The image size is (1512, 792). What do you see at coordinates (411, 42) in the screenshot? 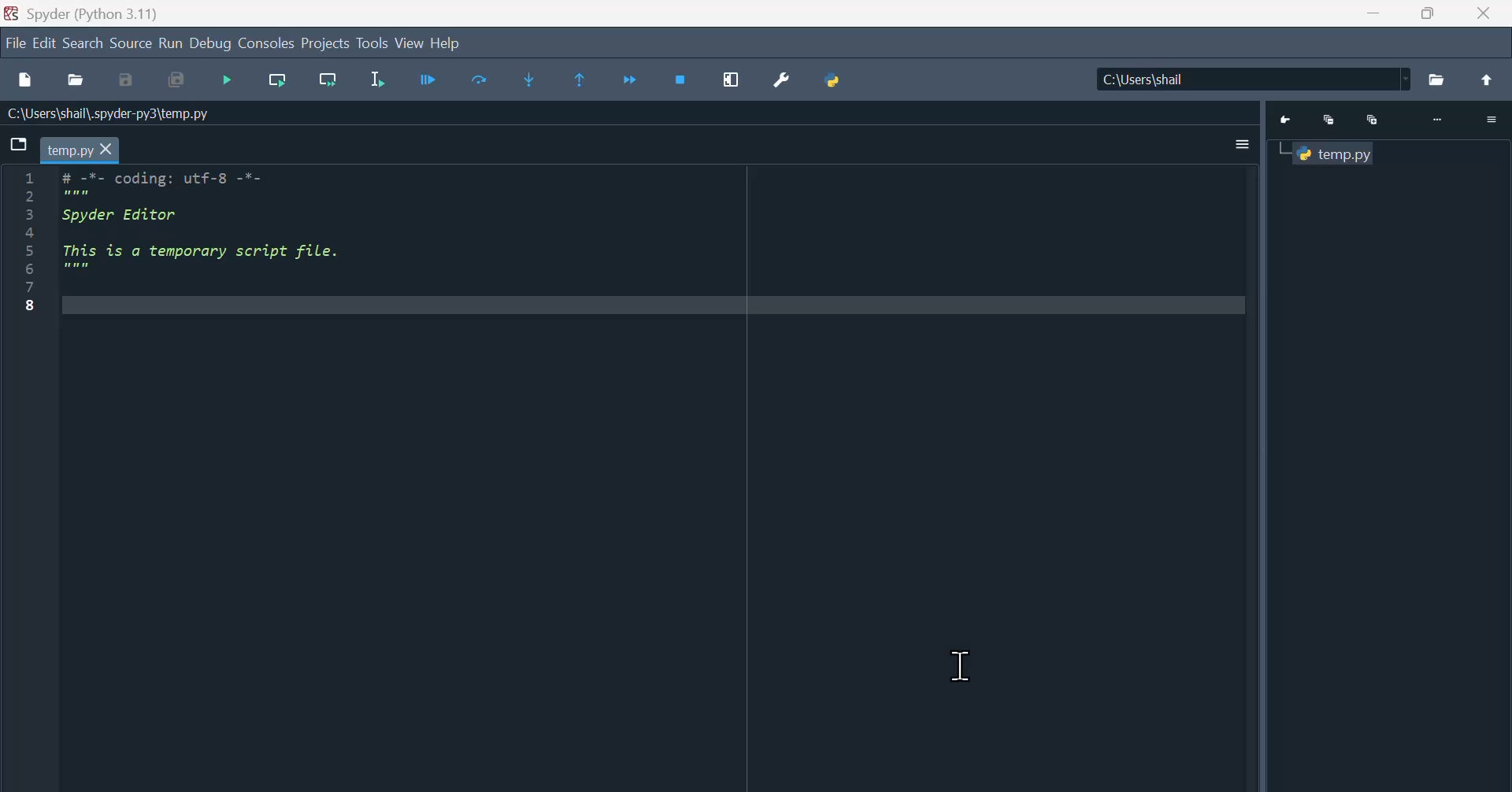
I see `View` at bounding box center [411, 42].